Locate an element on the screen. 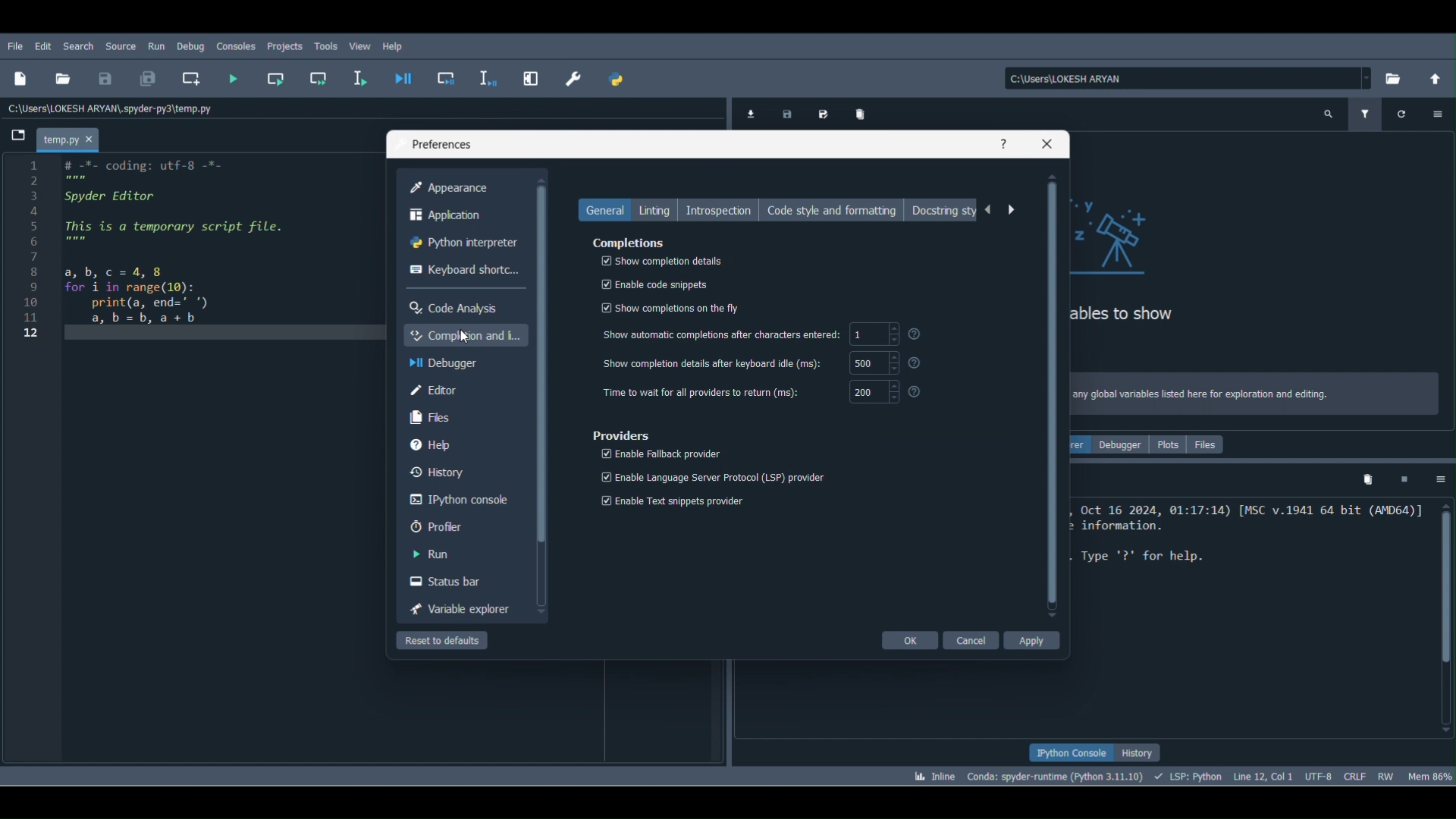 Image resolution: width=1456 pixels, height=819 pixels. Search is located at coordinates (81, 45).